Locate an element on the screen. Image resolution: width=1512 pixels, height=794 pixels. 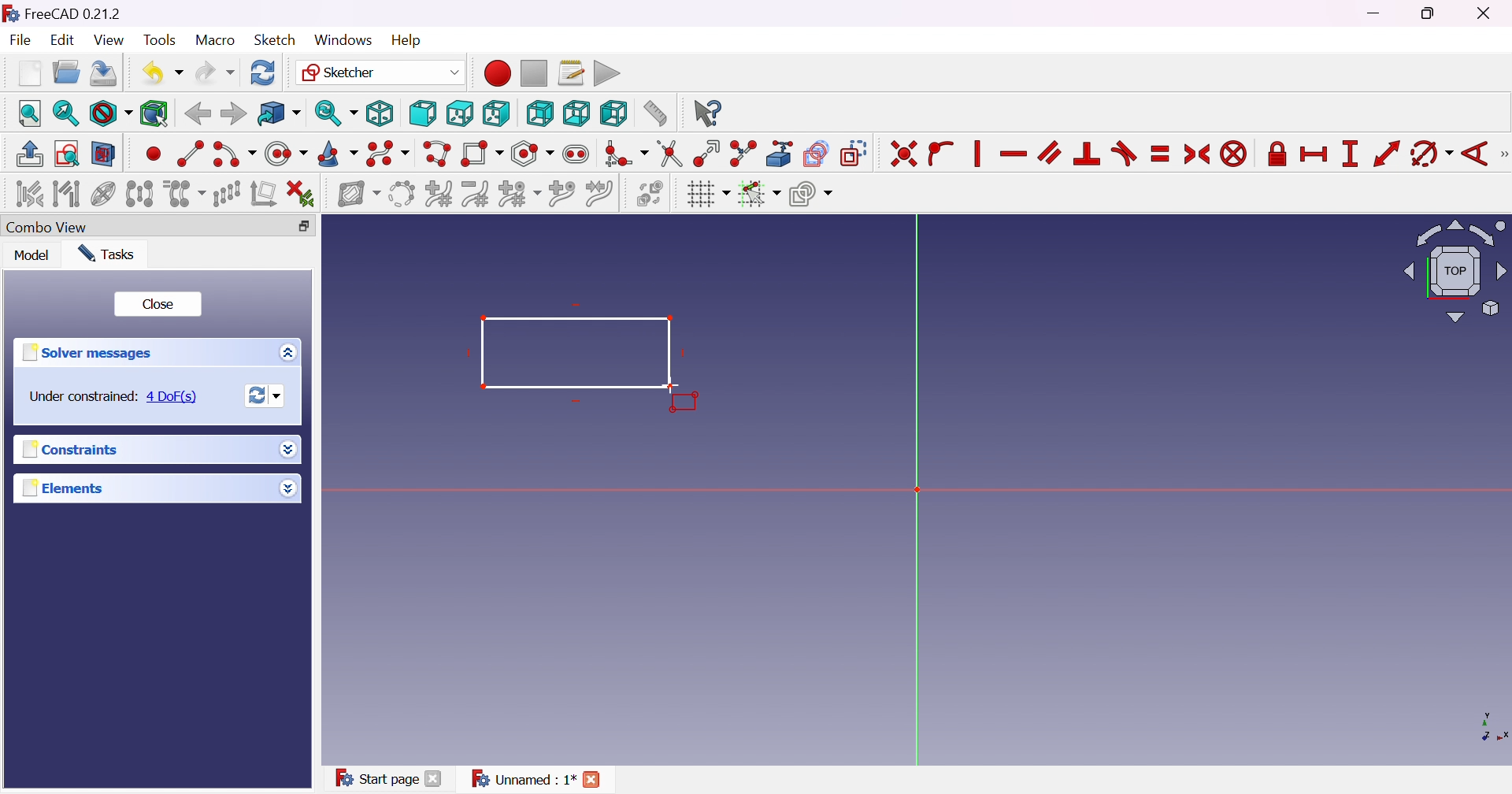
Close is located at coordinates (598, 777).